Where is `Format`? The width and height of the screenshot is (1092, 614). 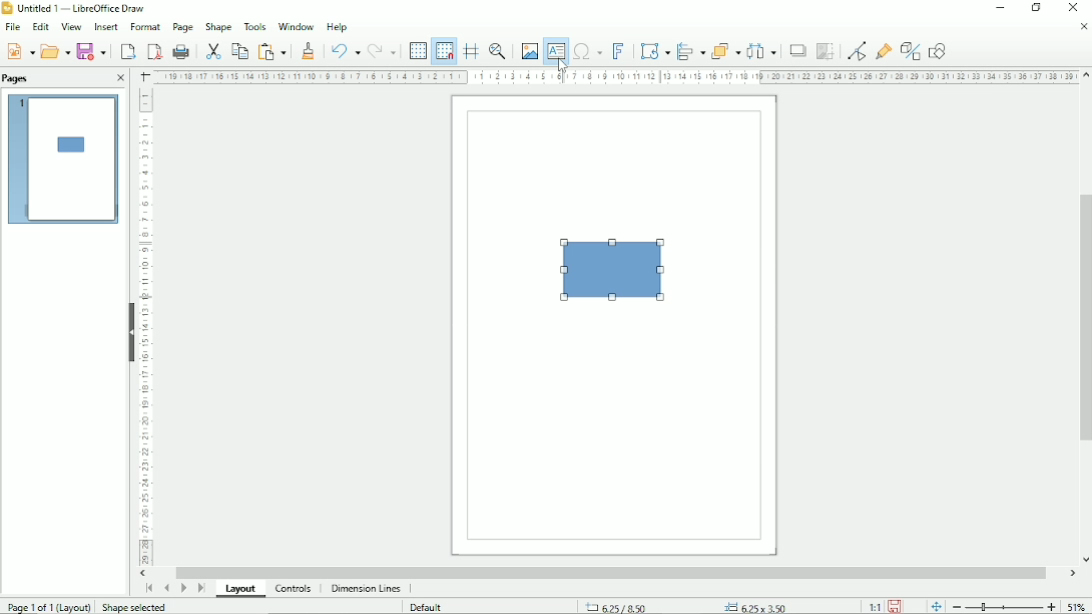 Format is located at coordinates (145, 26).